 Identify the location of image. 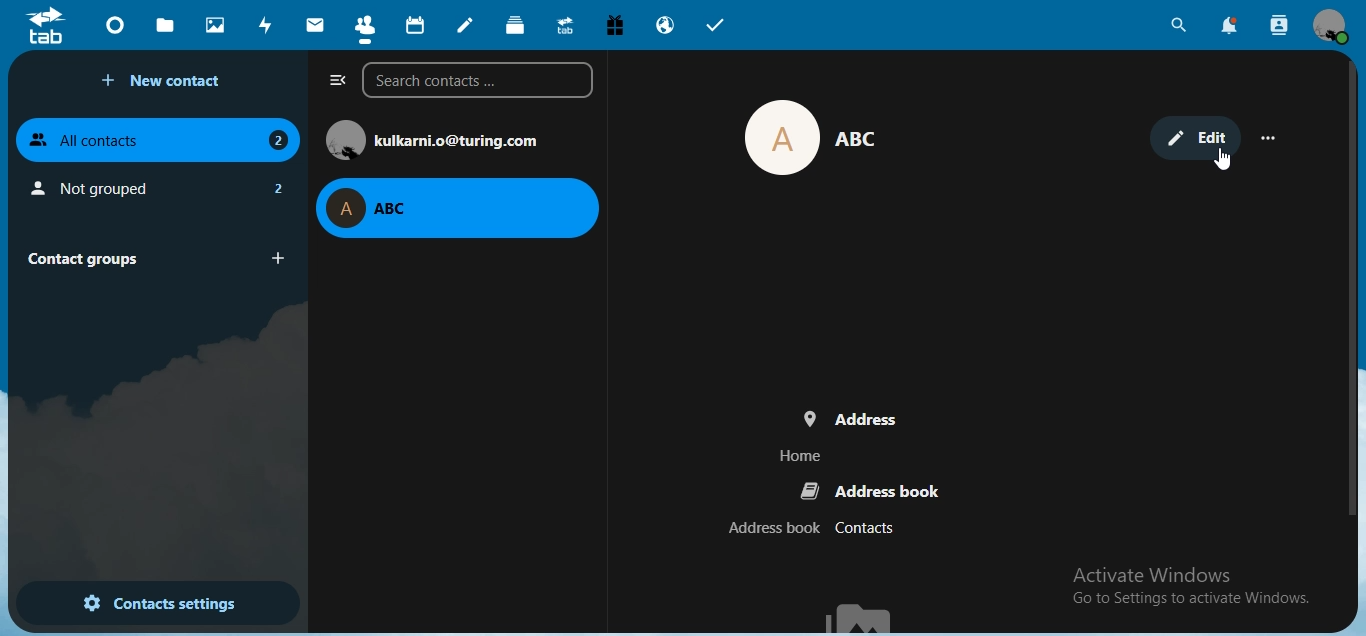
(802, 138).